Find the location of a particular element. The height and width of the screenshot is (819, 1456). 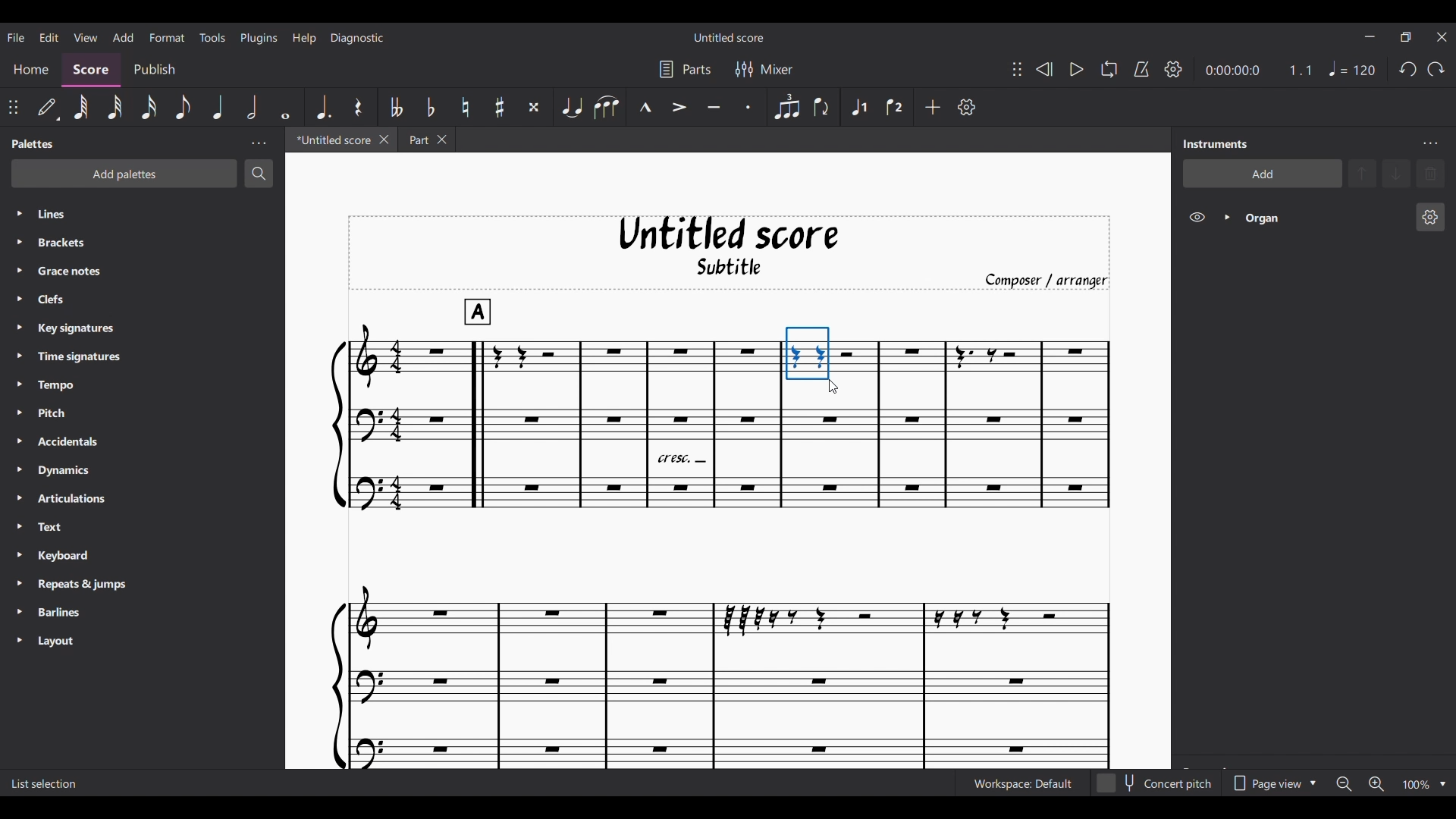

32nd note is located at coordinates (115, 108).